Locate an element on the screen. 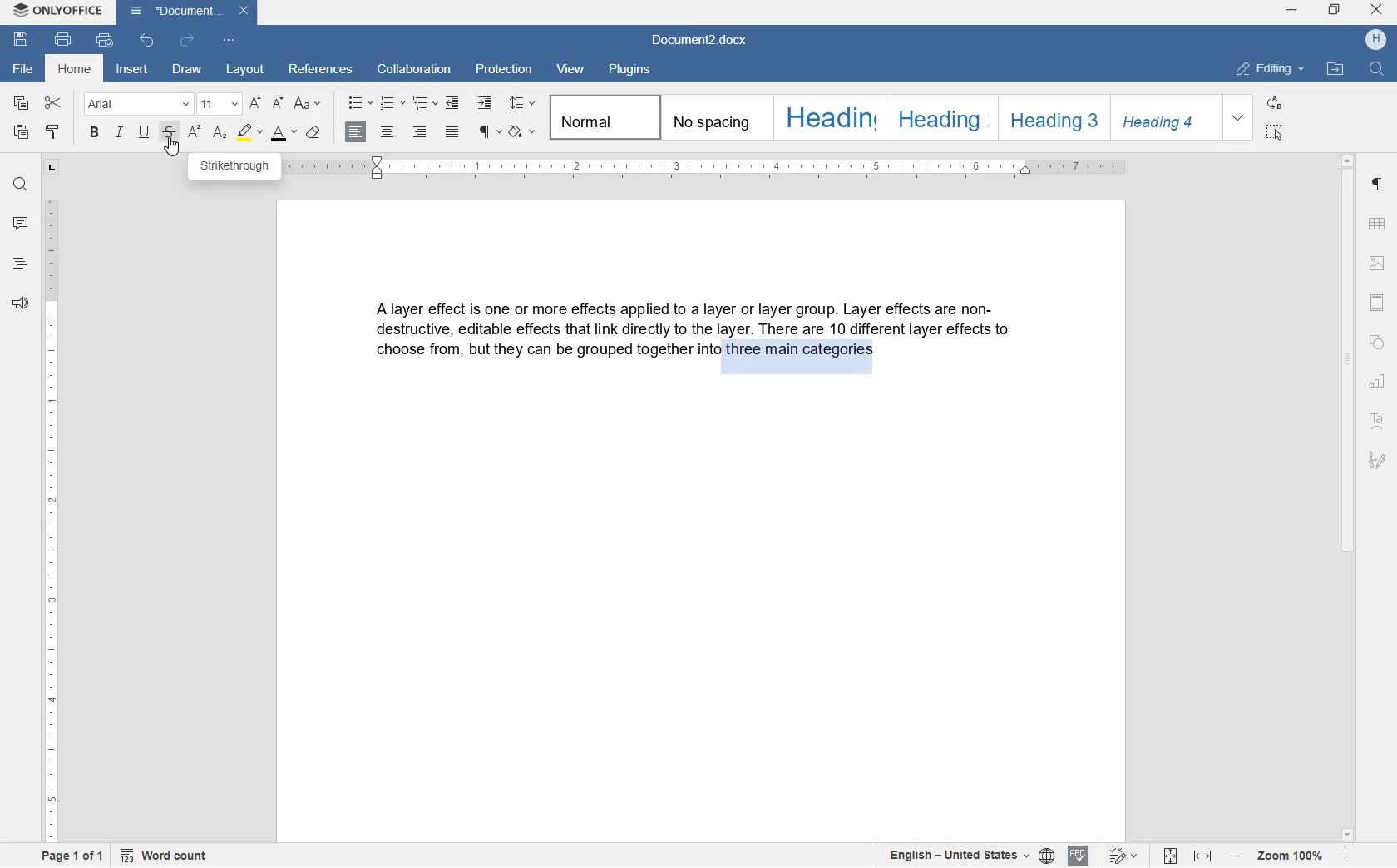 The height and width of the screenshot is (868, 1397). table  is located at coordinates (1380, 224).